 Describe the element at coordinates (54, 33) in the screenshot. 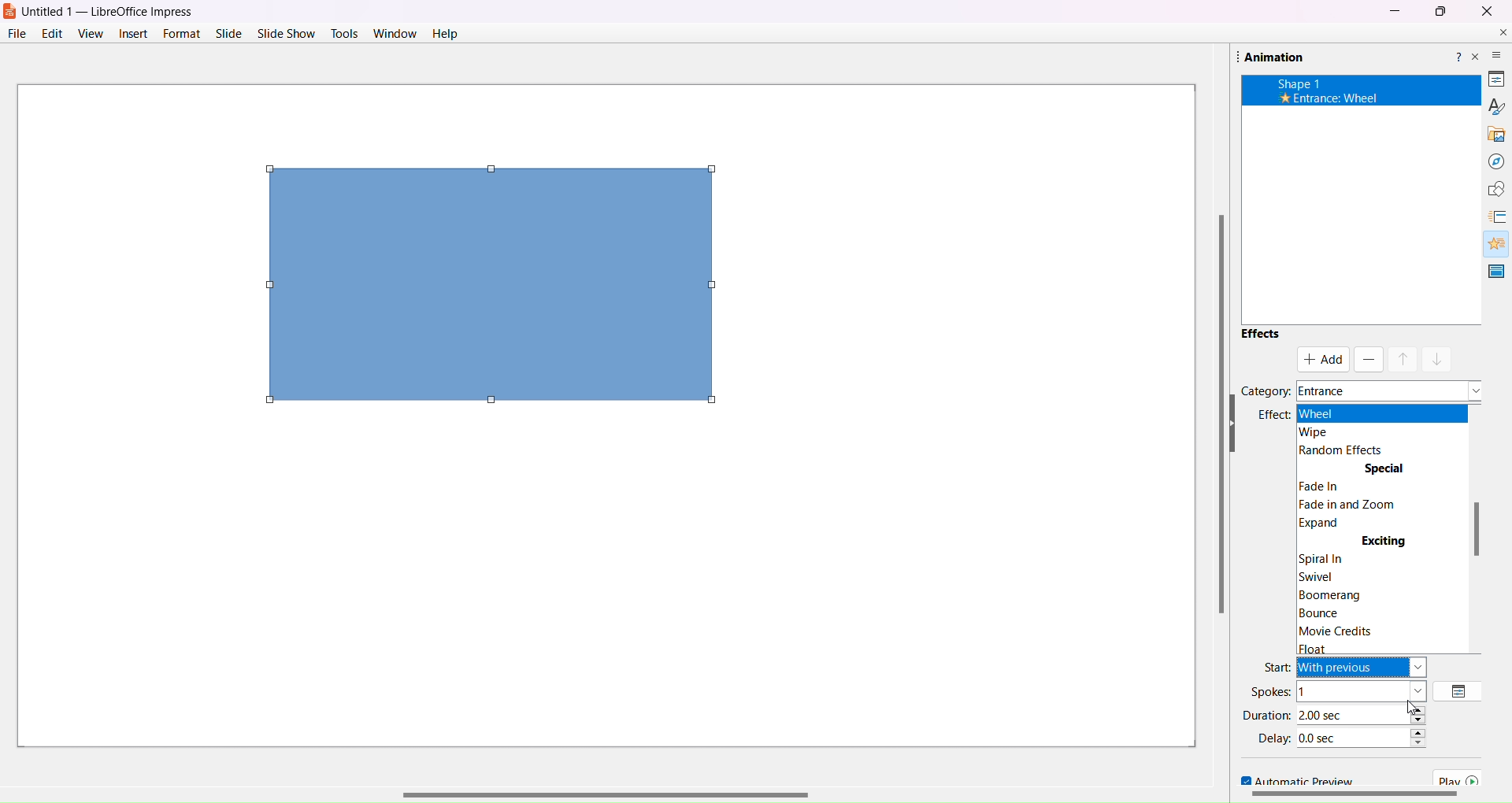

I see `Edit` at that location.